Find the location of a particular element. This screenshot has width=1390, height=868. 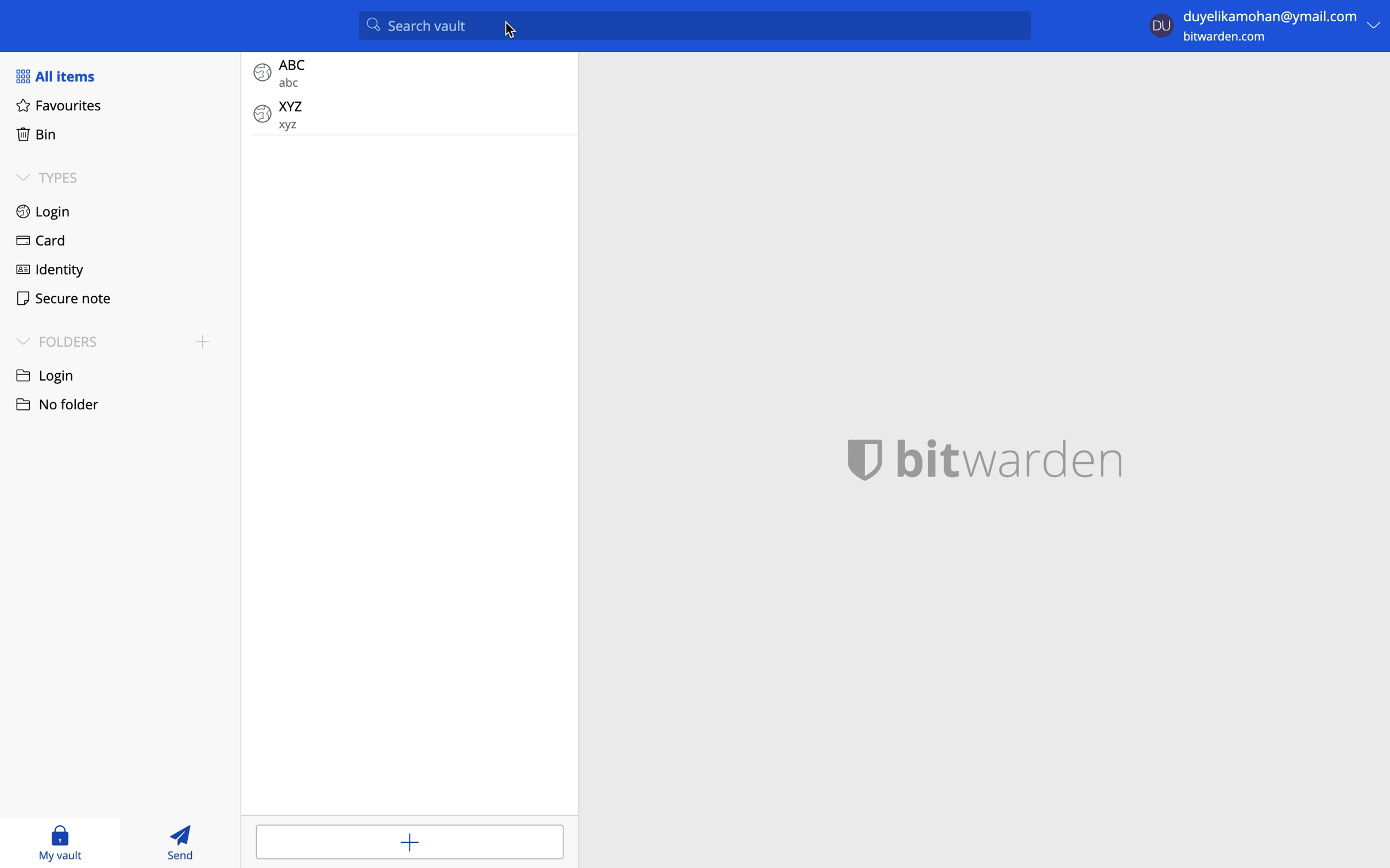

login email id is located at coordinates (1269, 15).